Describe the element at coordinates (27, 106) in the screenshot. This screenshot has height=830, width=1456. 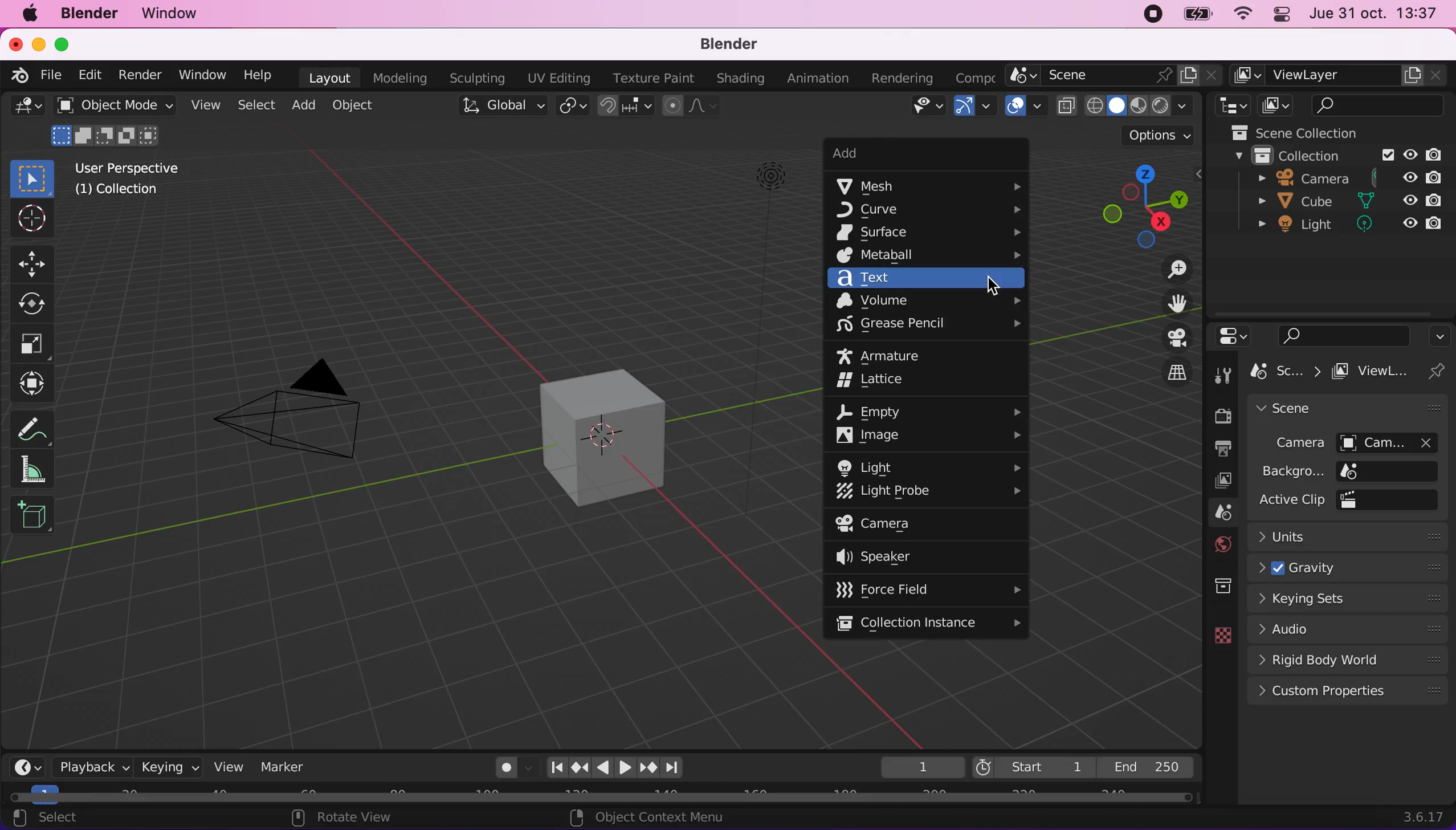
I see `editor type` at that location.